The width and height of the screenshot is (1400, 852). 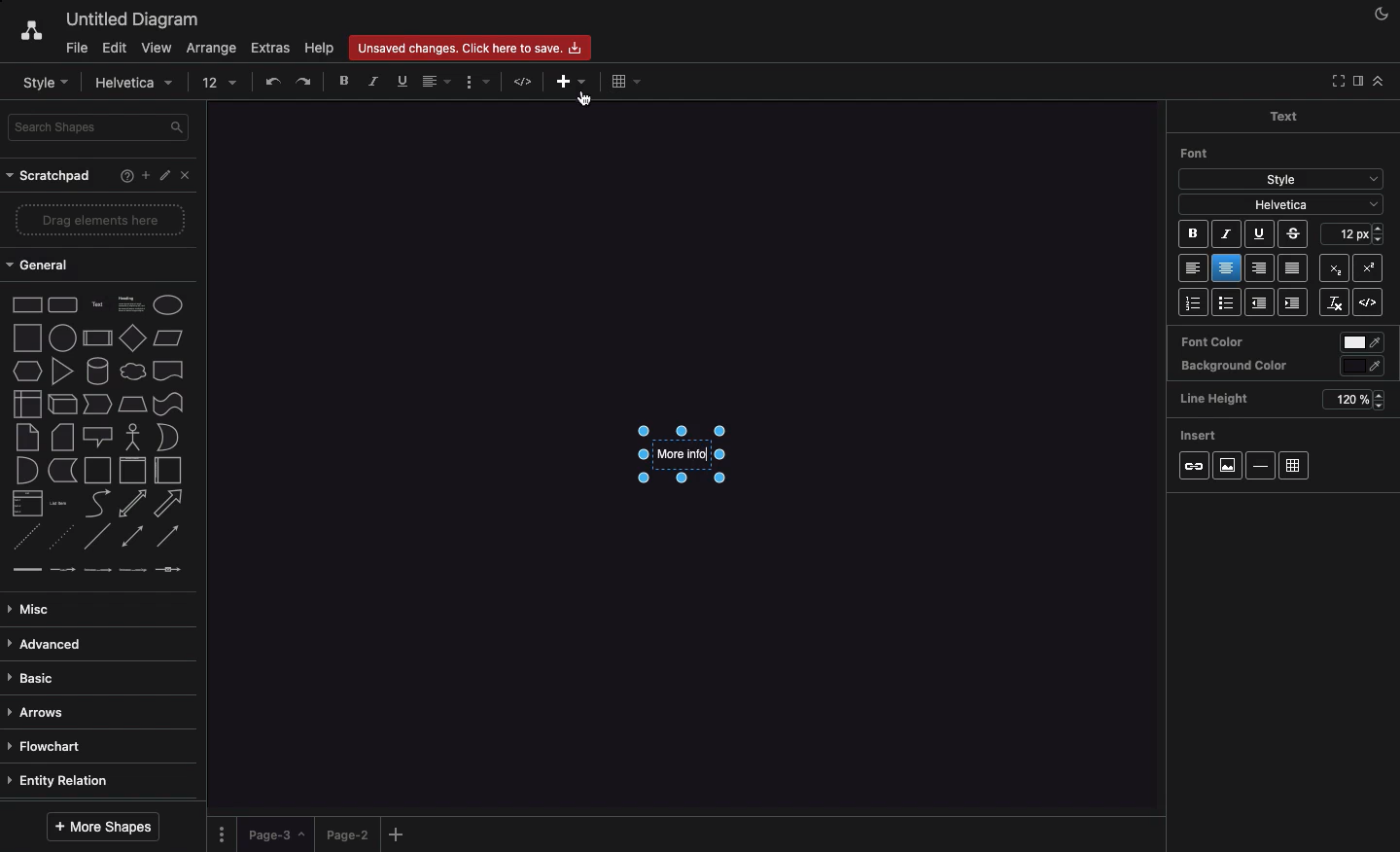 What do you see at coordinates (168, 437) in the screenshot?
I see `or` at bounding box center [168, 437].